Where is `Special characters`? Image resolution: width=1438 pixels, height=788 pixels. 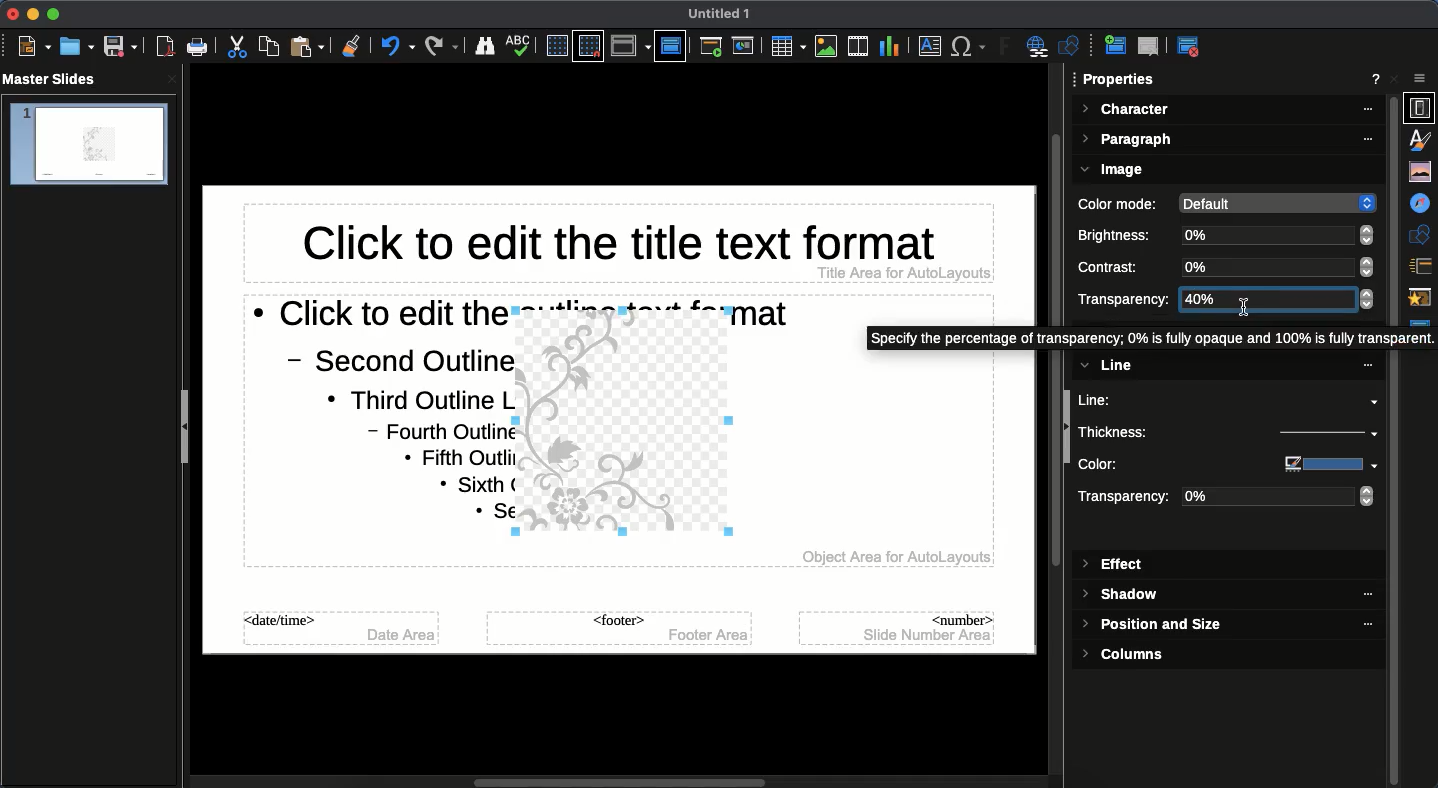
Special characters is located at coordinates (969, 47).